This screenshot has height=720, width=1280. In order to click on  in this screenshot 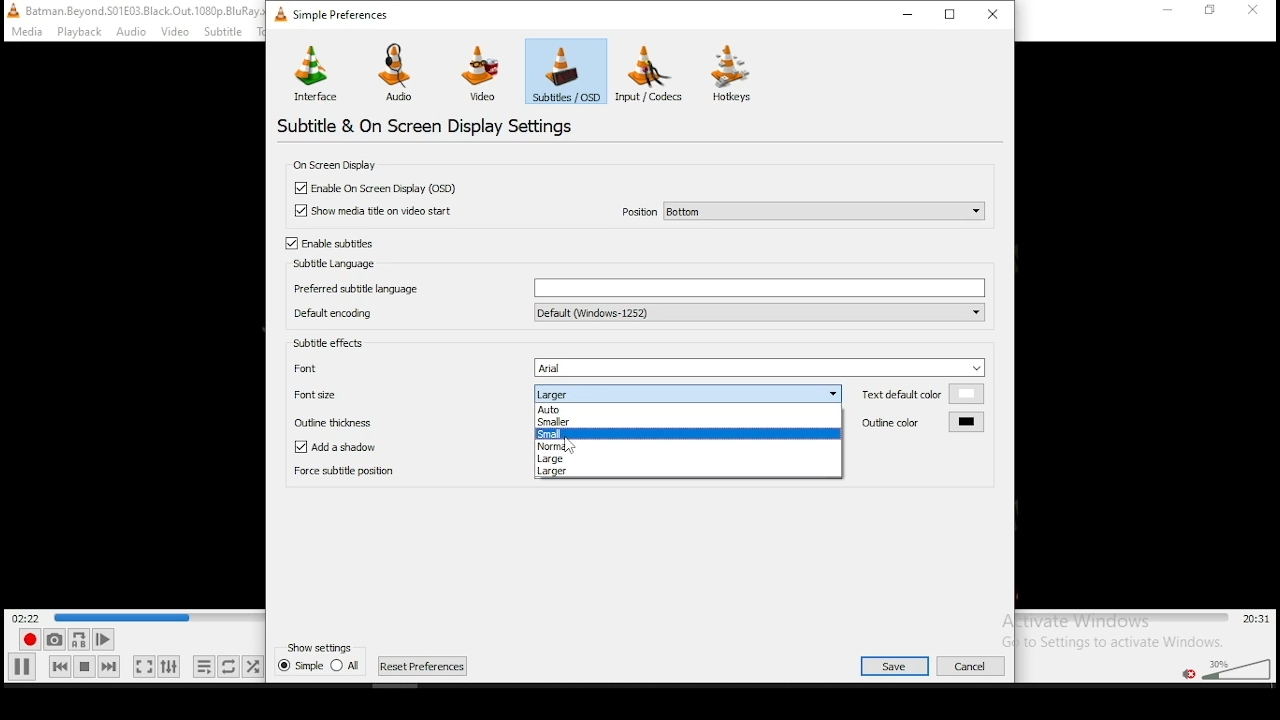, I will do `click(130, 10)`.